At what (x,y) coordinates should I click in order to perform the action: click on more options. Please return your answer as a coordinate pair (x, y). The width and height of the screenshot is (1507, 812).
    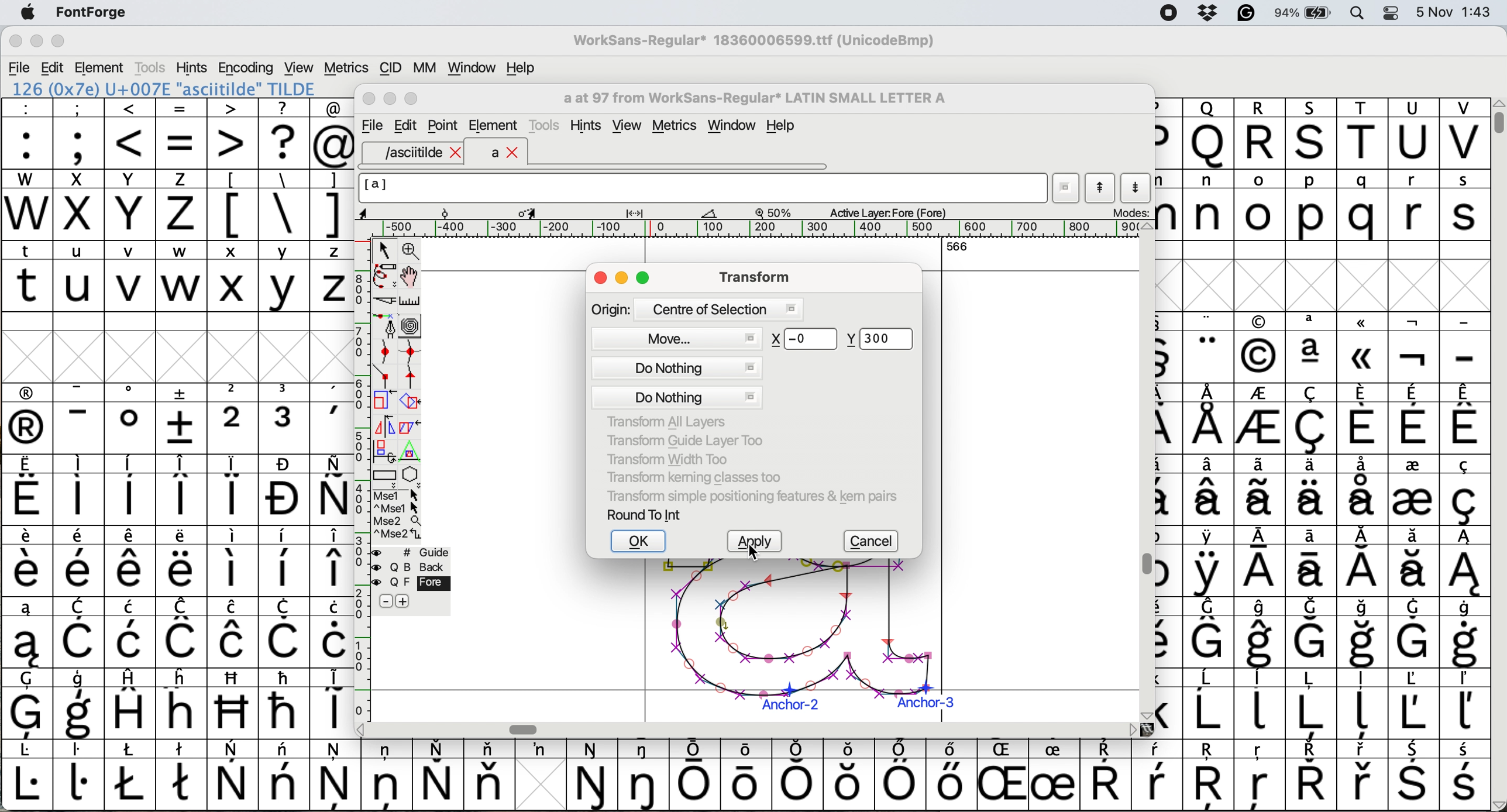
    Looking at the image, I should click on (398, 514).